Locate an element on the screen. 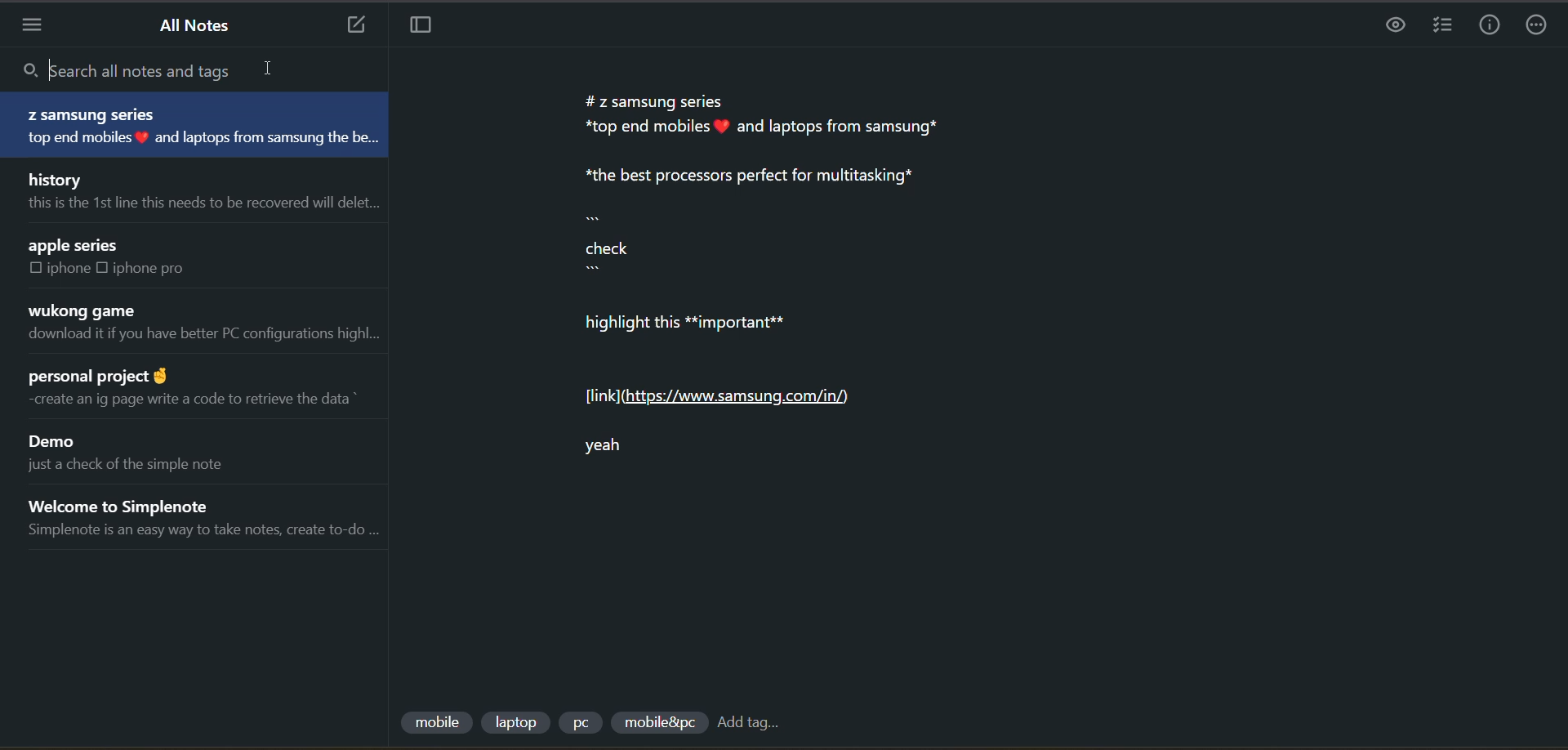 This screenshot has width=1568, height=750. cursor is located at coordinates (272, 68).